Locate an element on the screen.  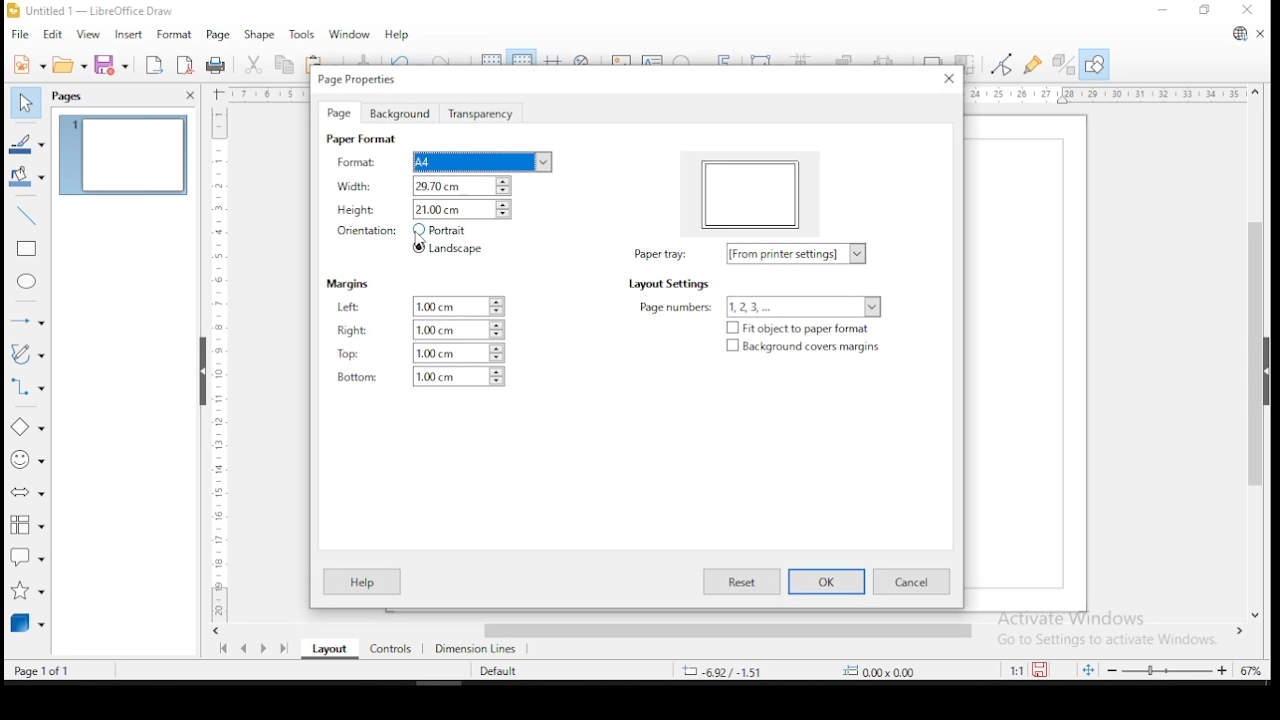
file is located at coordinates (19, 35).